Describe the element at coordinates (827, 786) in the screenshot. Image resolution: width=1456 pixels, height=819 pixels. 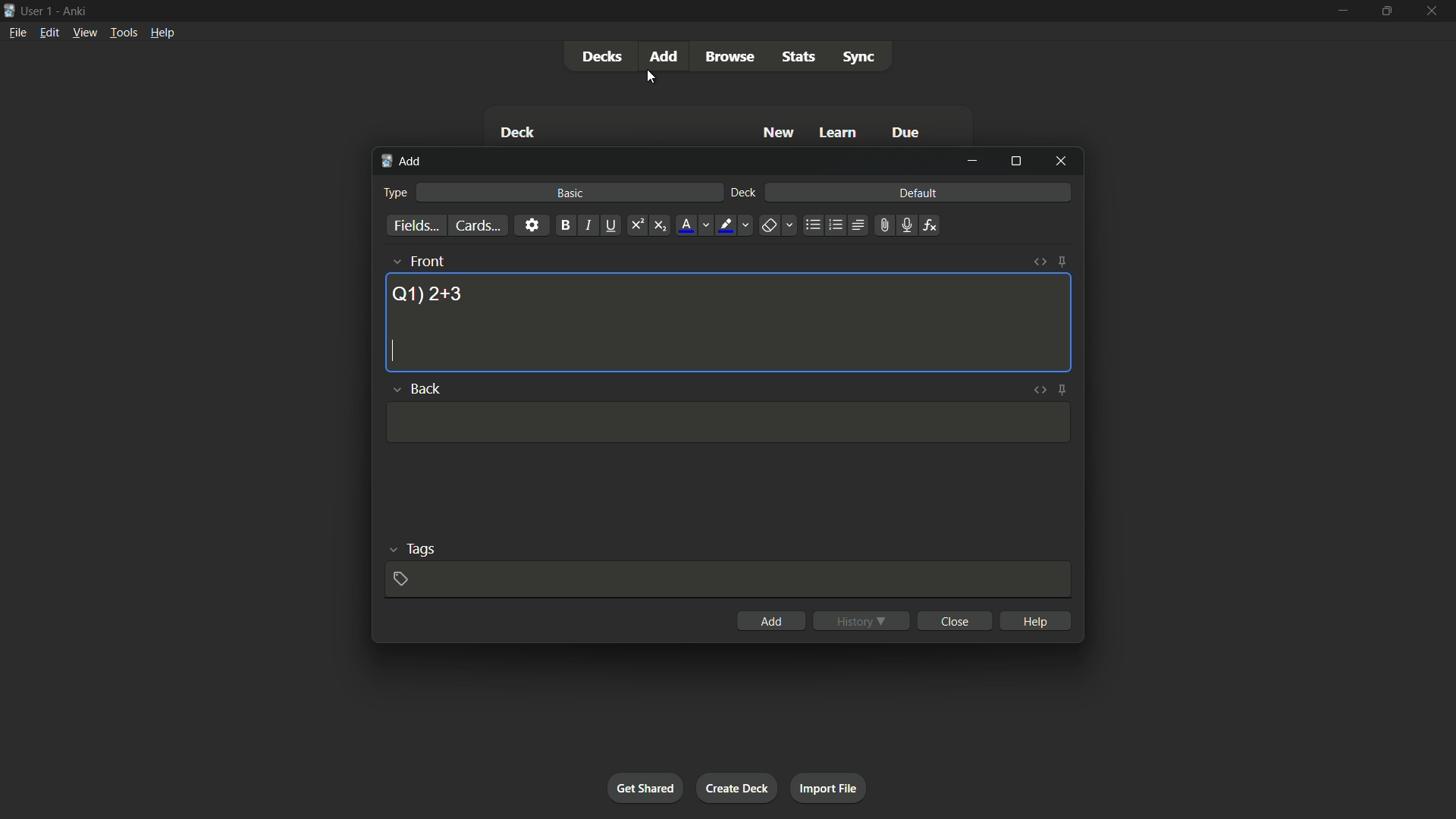
I see `import file` at that location.